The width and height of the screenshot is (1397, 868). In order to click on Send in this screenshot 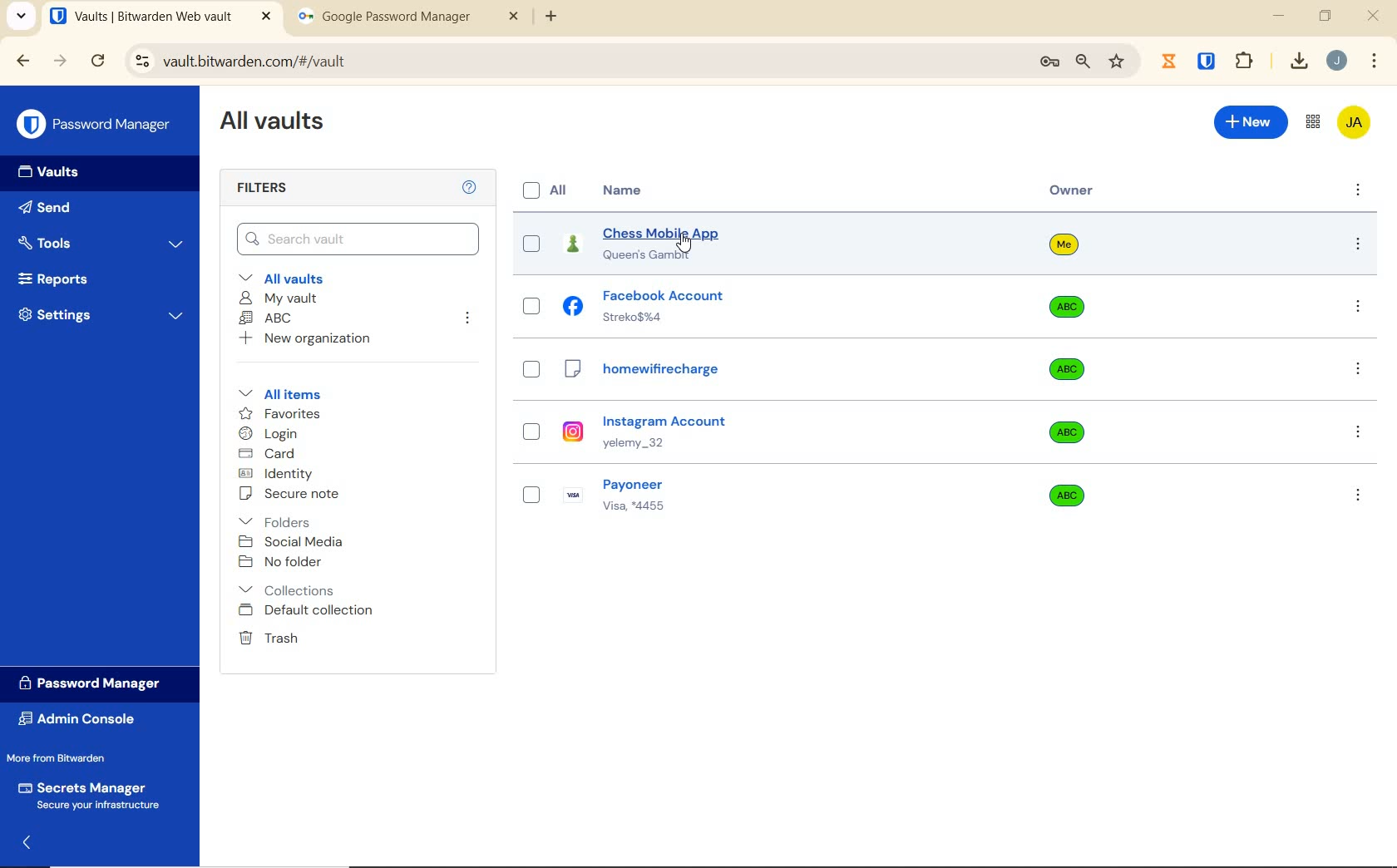, I will do `click(55, 207)`.